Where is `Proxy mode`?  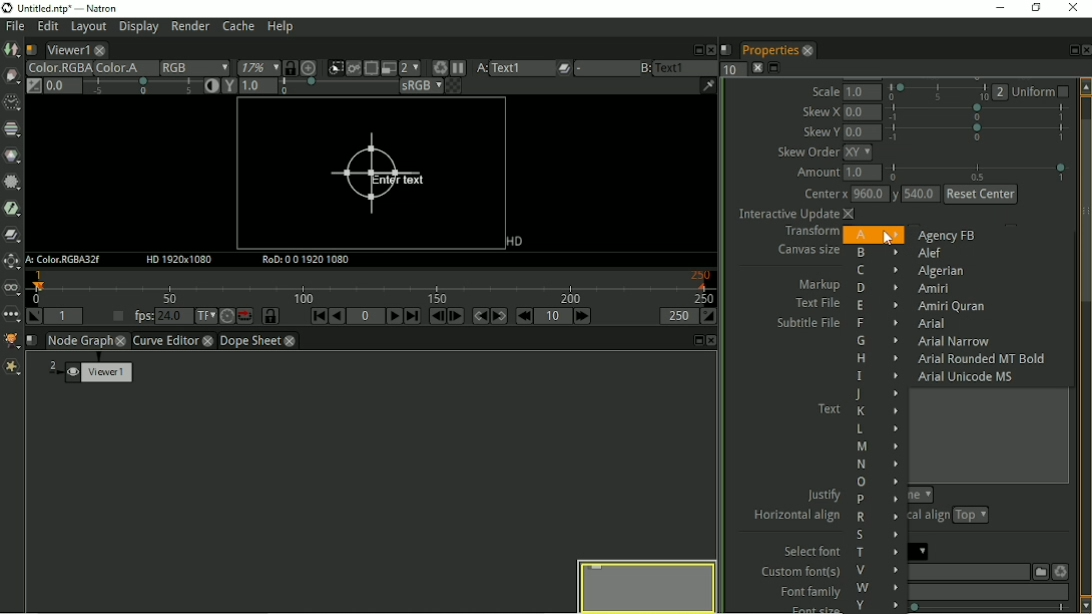
Proxy mode is located at coordinates (387, 69).